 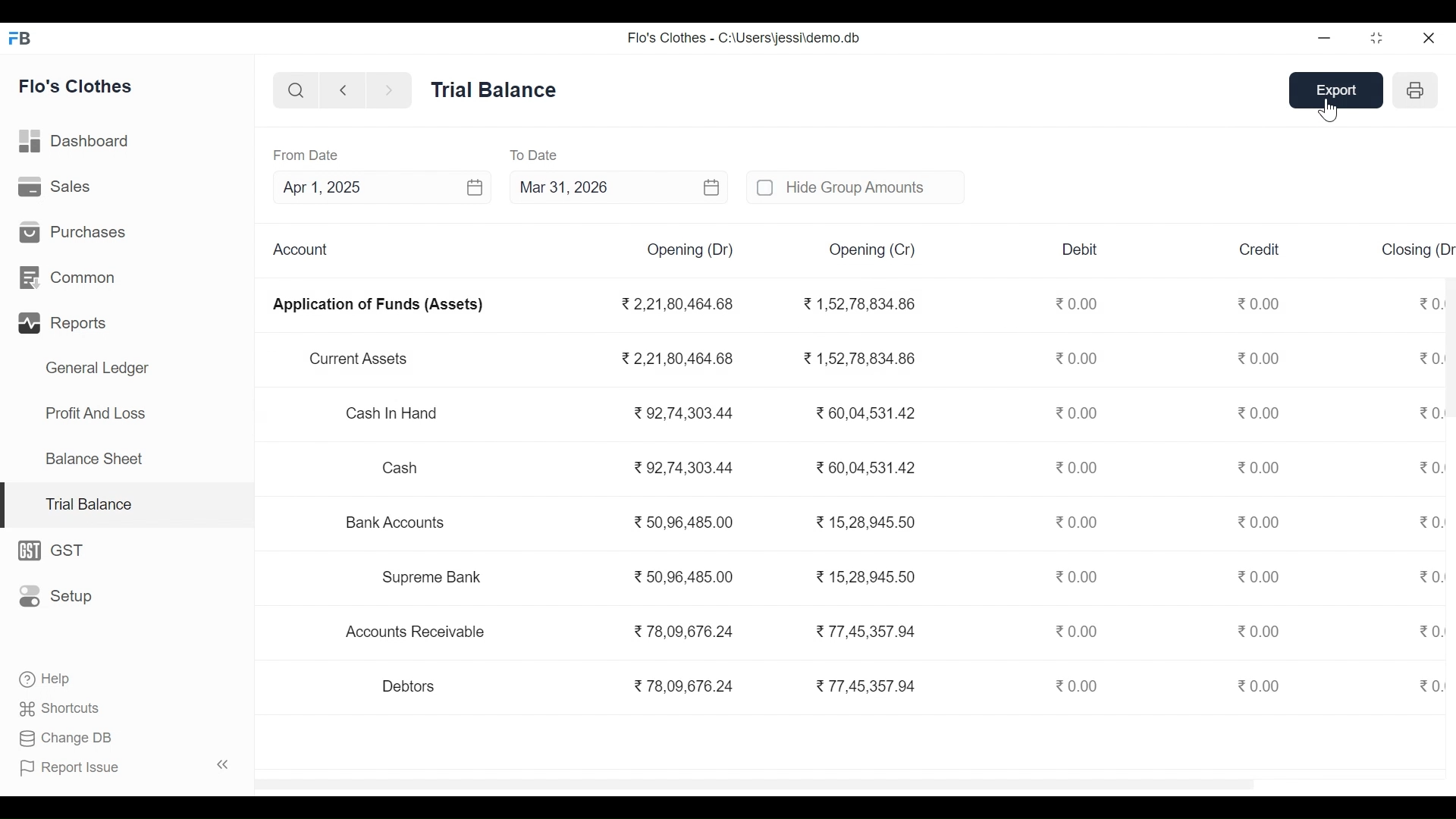 What do you see at coordinates (677, 357) in the screenshot?
I see `2.21,80,464.68` at bounding box center [677, 357].